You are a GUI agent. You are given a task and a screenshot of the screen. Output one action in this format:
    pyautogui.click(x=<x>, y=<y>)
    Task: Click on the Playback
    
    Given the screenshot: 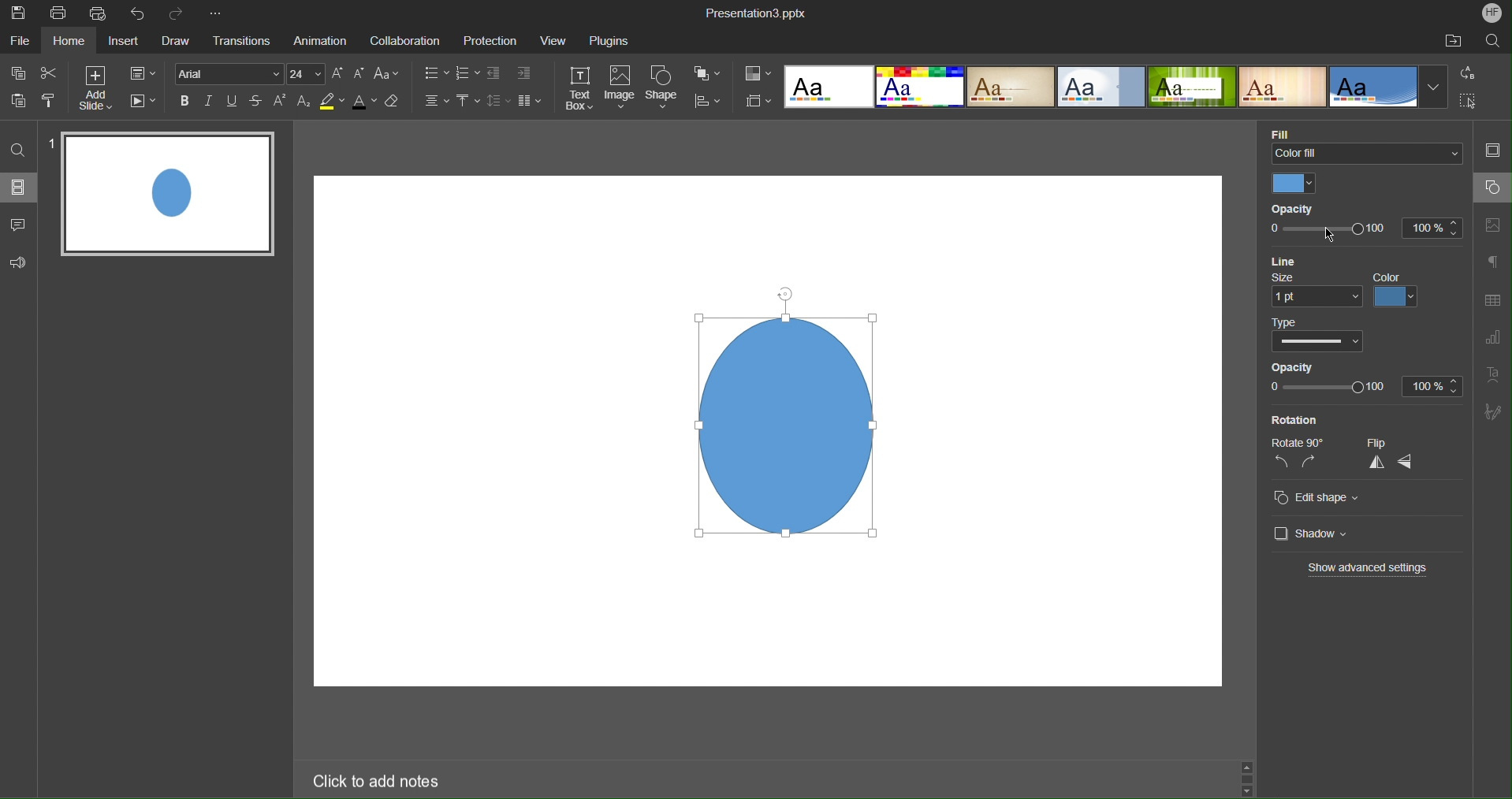 What is the action you would take?
    pyautogui.click(x=143, y=102)
    